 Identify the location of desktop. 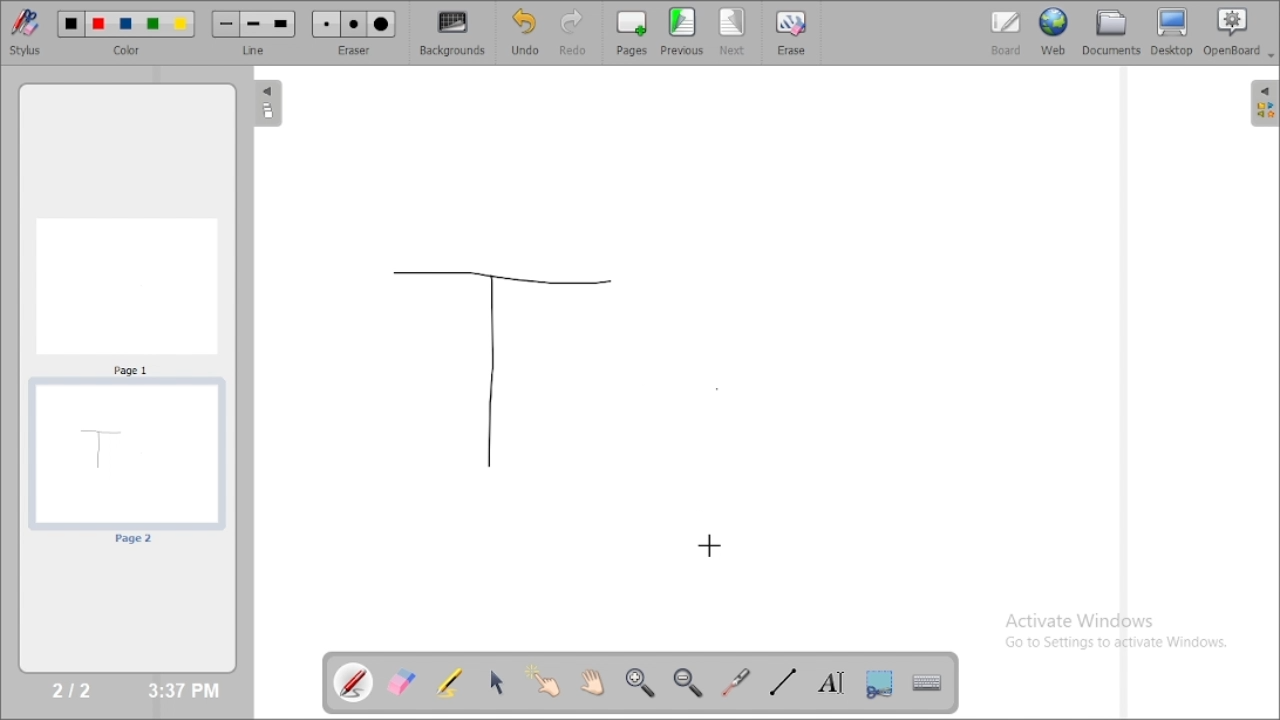
(1173, 32).